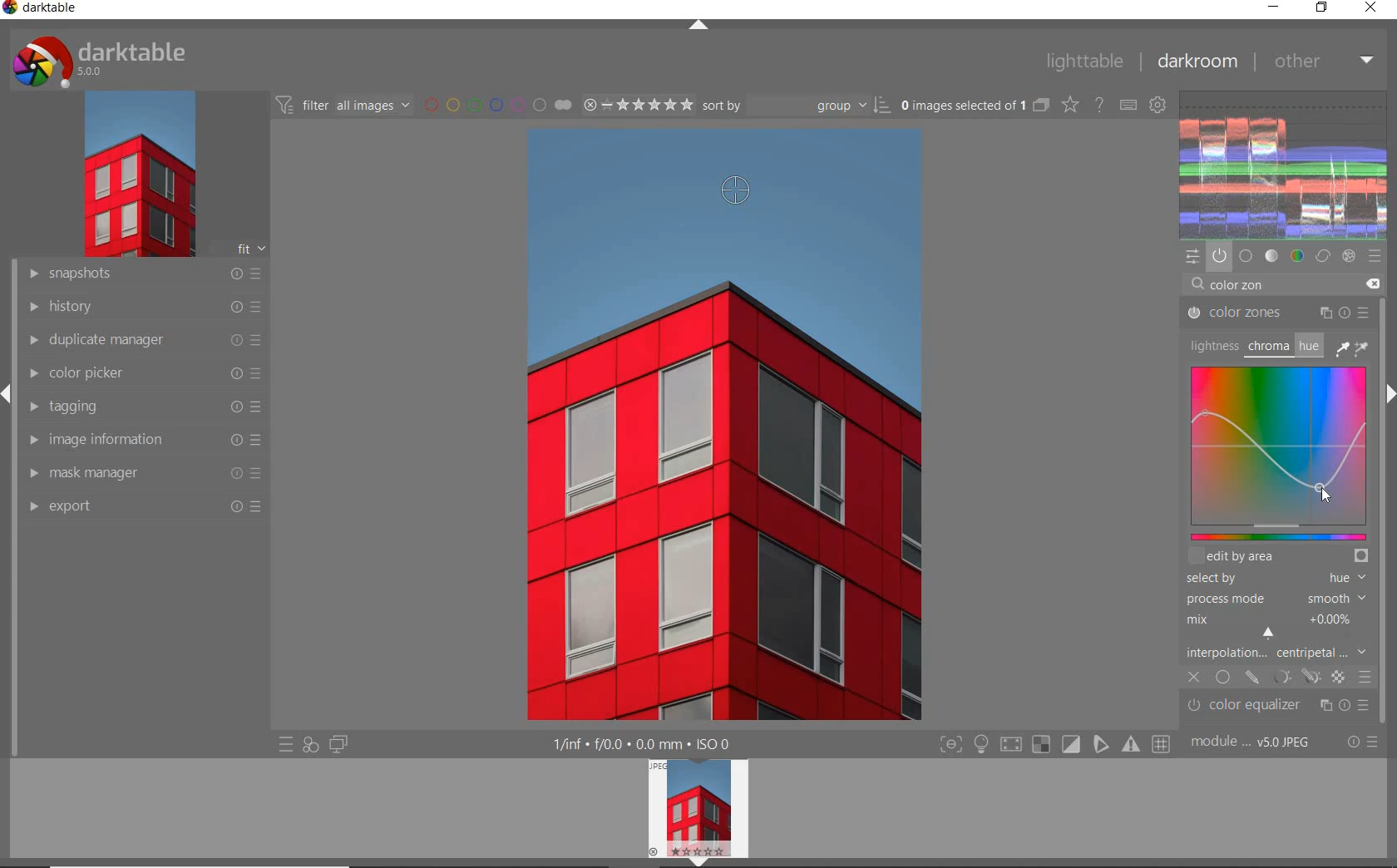  I want to click on quick access panel, so click(1193, 257).